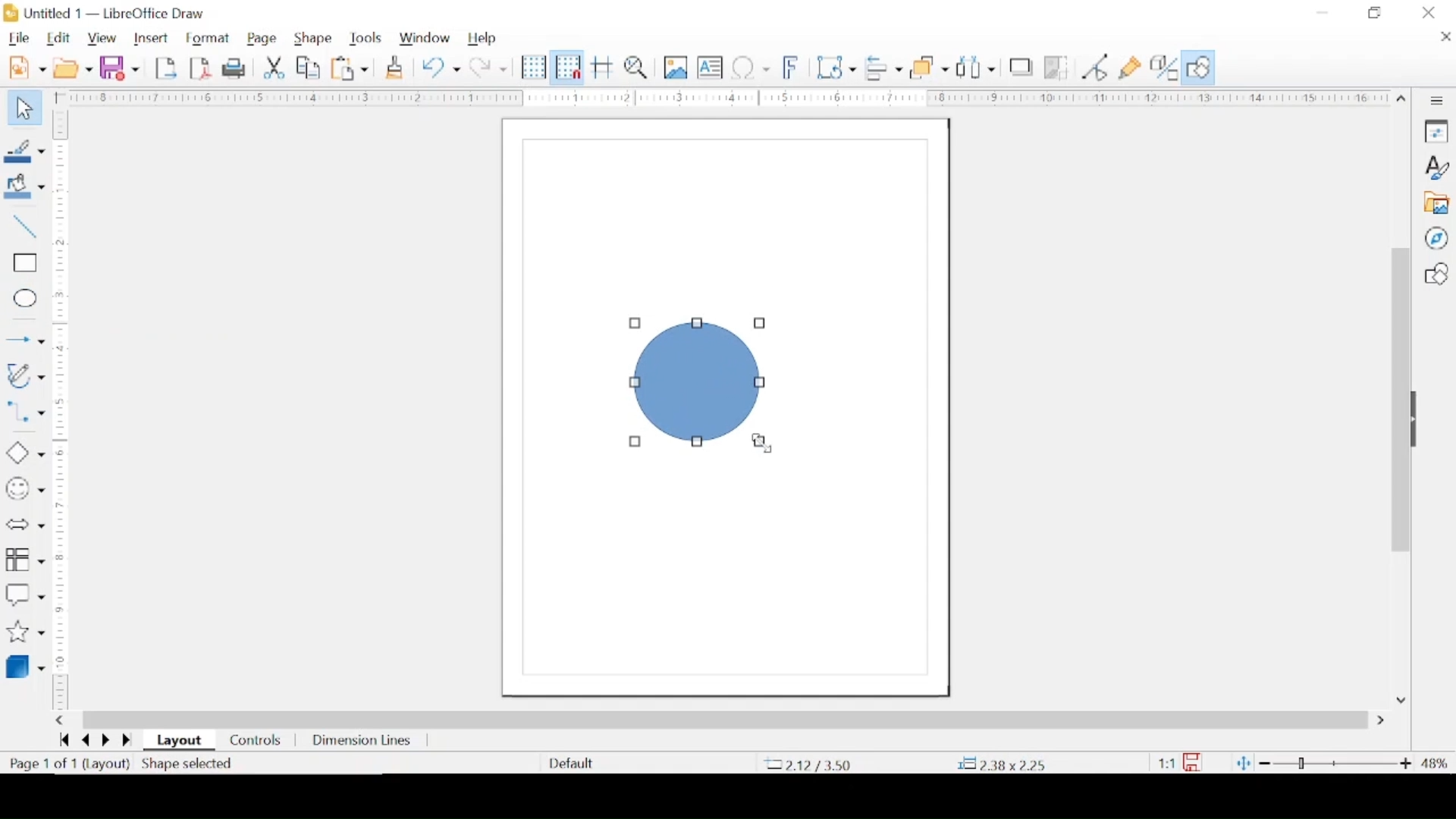 This screenshot has height=819, width=1456. What do you see at coordinates (837, 67) in the screenshot?
I see `transformations` at bounding box center [837, 67].